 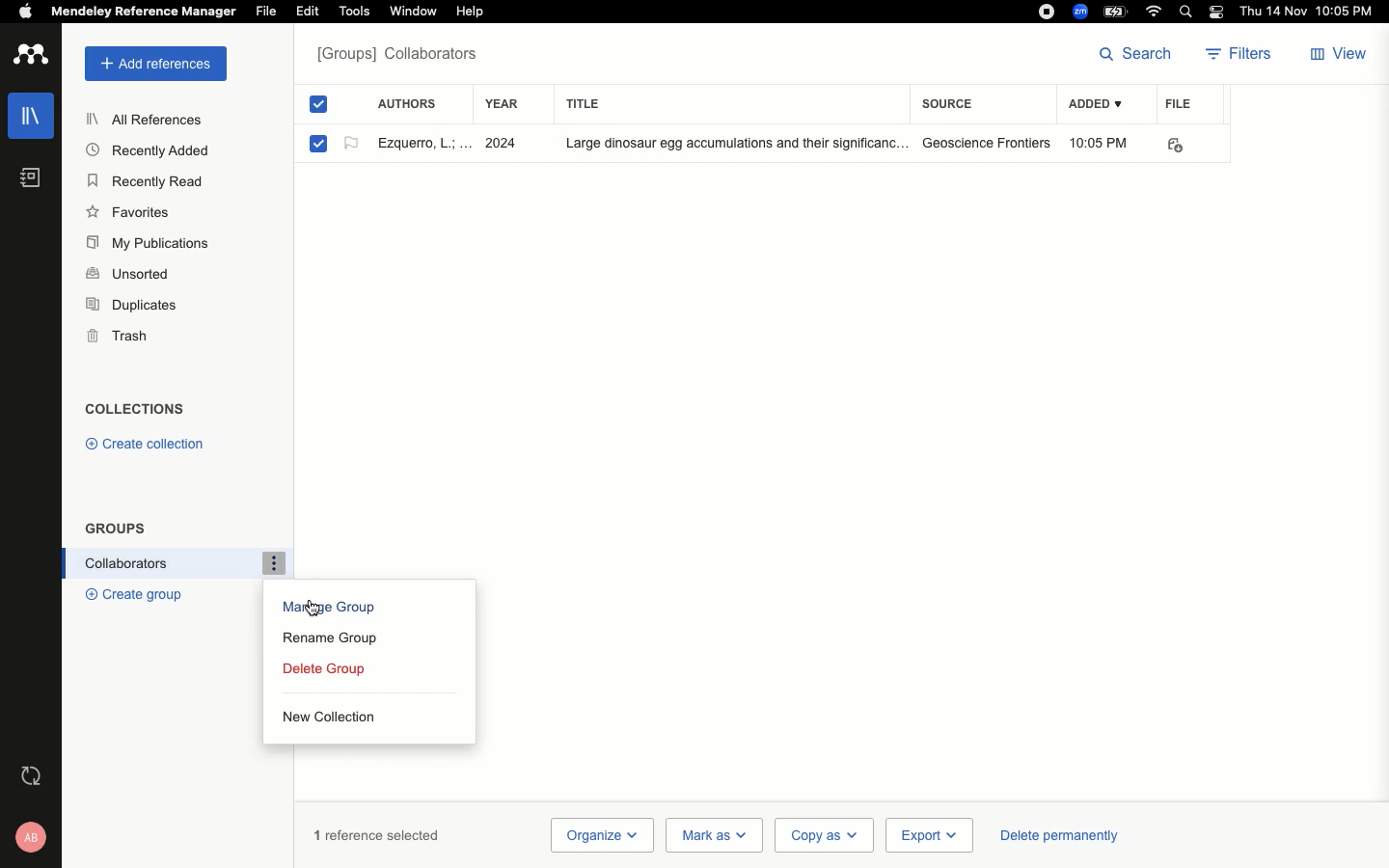 What do you see at coordinates (469, 13) in the screenshot?
I see `Help` at bounding box center [469, 13].